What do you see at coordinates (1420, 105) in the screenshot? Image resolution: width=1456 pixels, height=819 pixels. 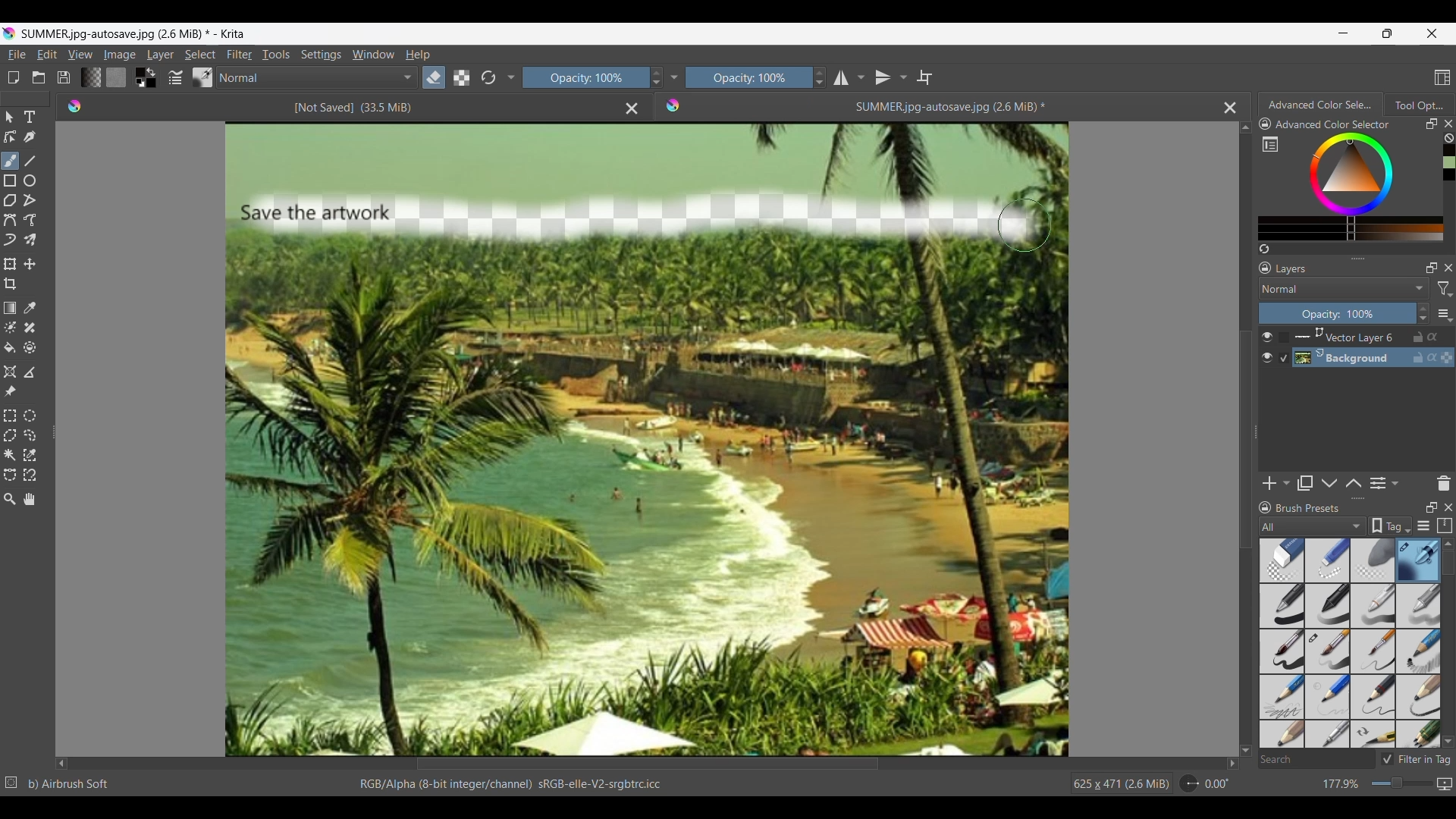 I see `Tool Options` at bounding box center [1420, 105].